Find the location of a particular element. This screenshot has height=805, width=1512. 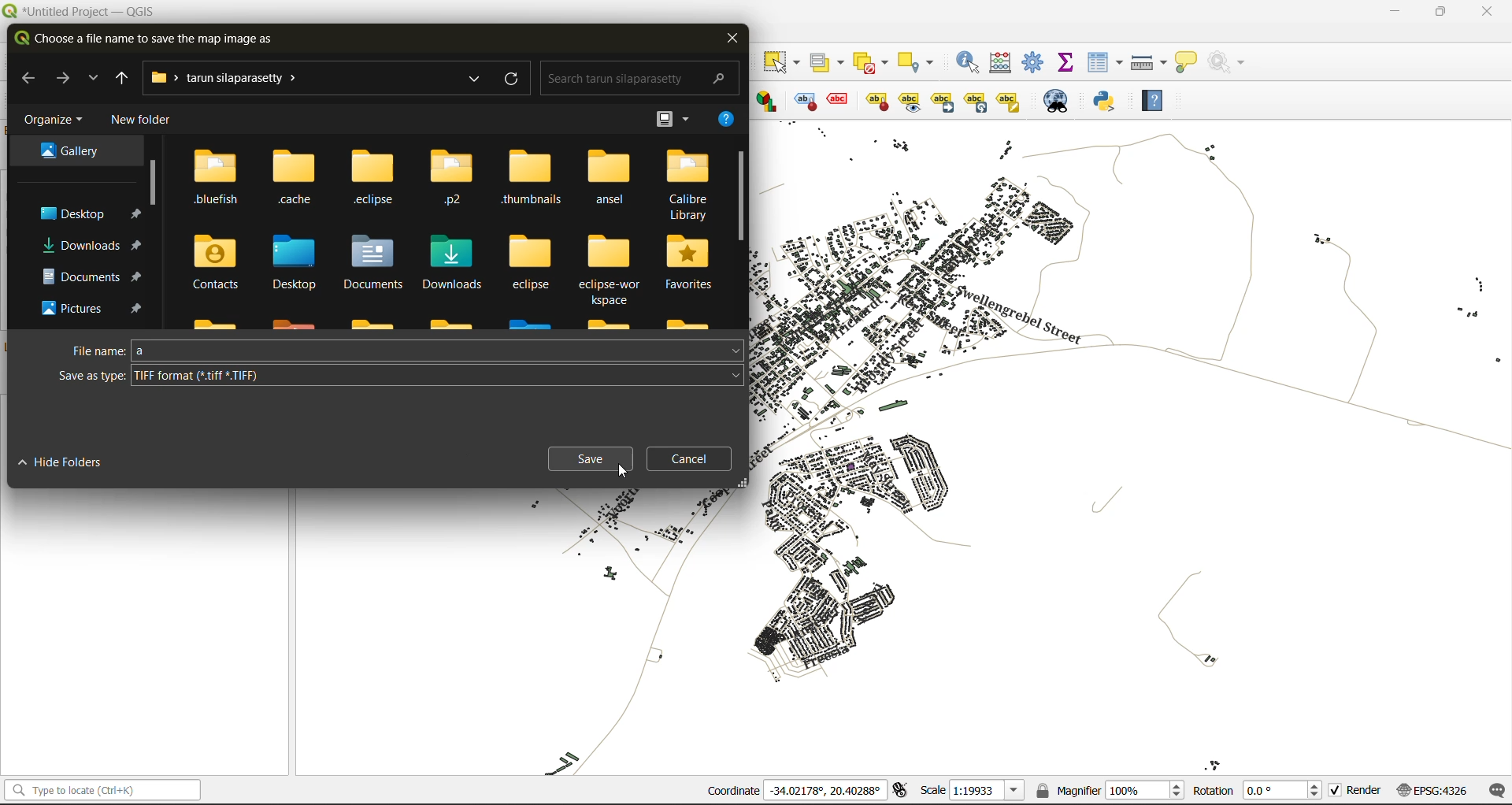

next is located at coordinates (66, 78).